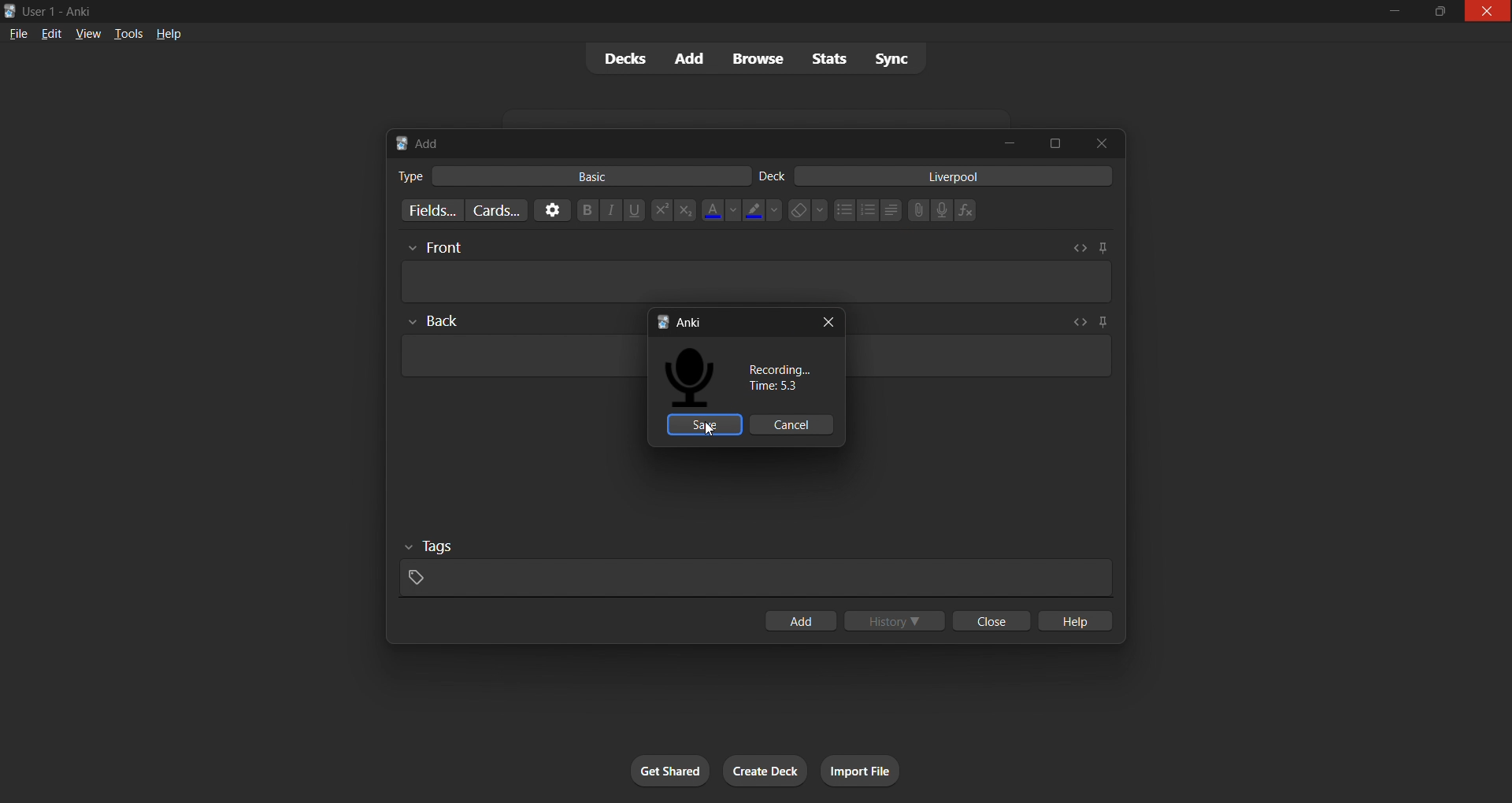 This screenshot has width=1512, height=803. What do you see at coordinates (427, 211) in the screenshot?
I see `customize fields` at bounding box center [427, 211].